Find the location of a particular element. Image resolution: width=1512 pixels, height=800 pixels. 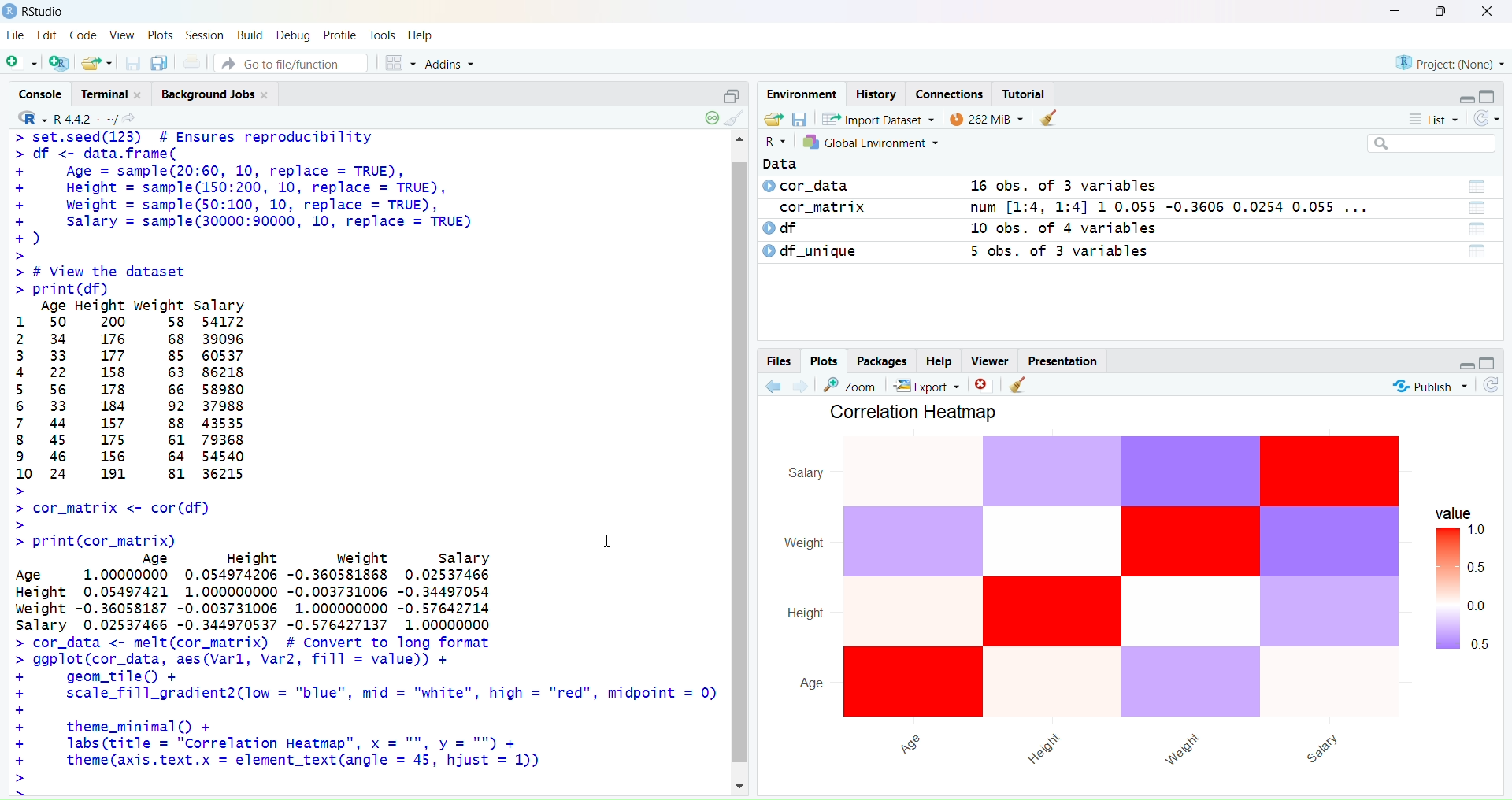

View is located at coordinates (121, 35).